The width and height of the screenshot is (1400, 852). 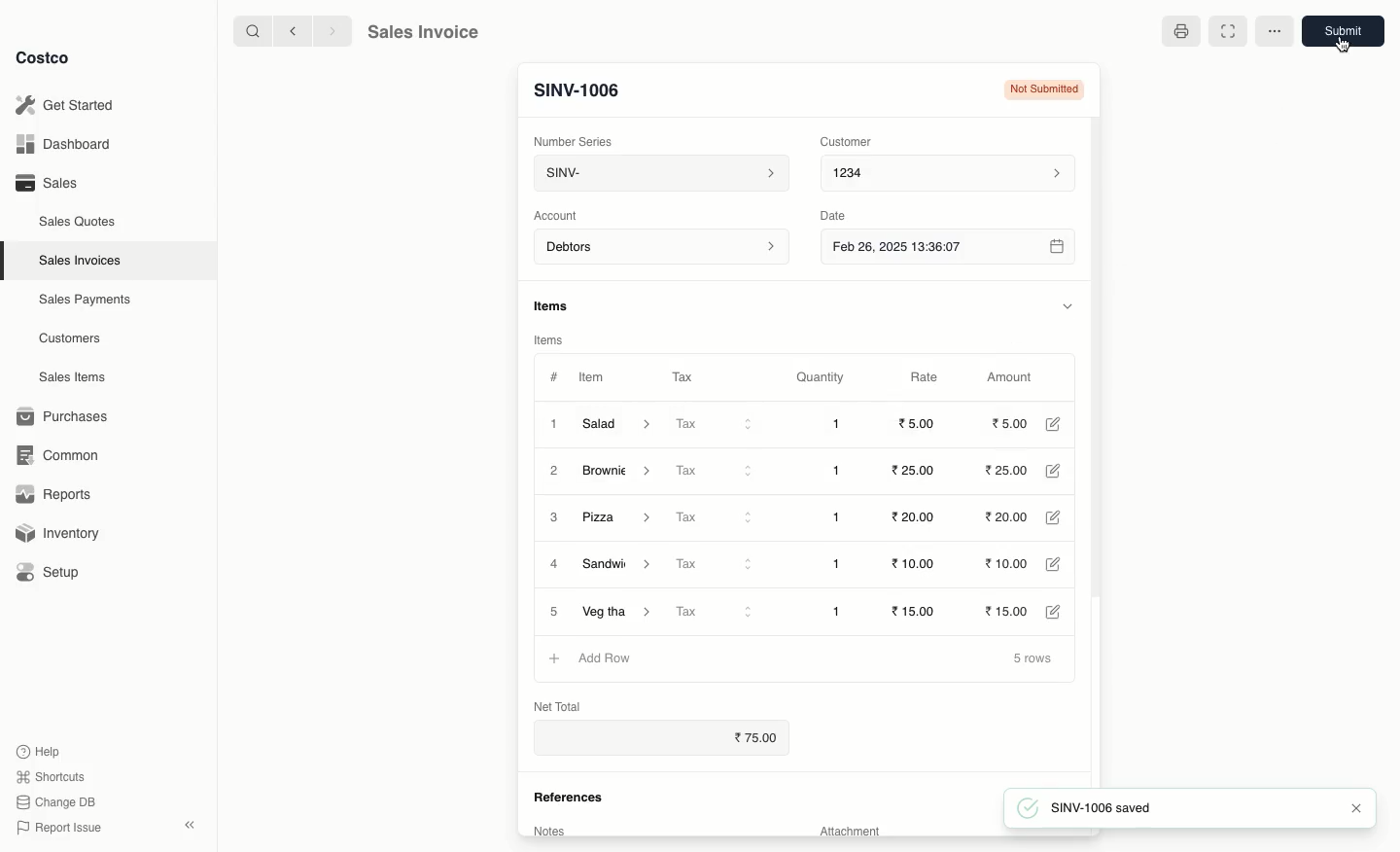 I want to click on 15.00, so click(x=919, y=613).